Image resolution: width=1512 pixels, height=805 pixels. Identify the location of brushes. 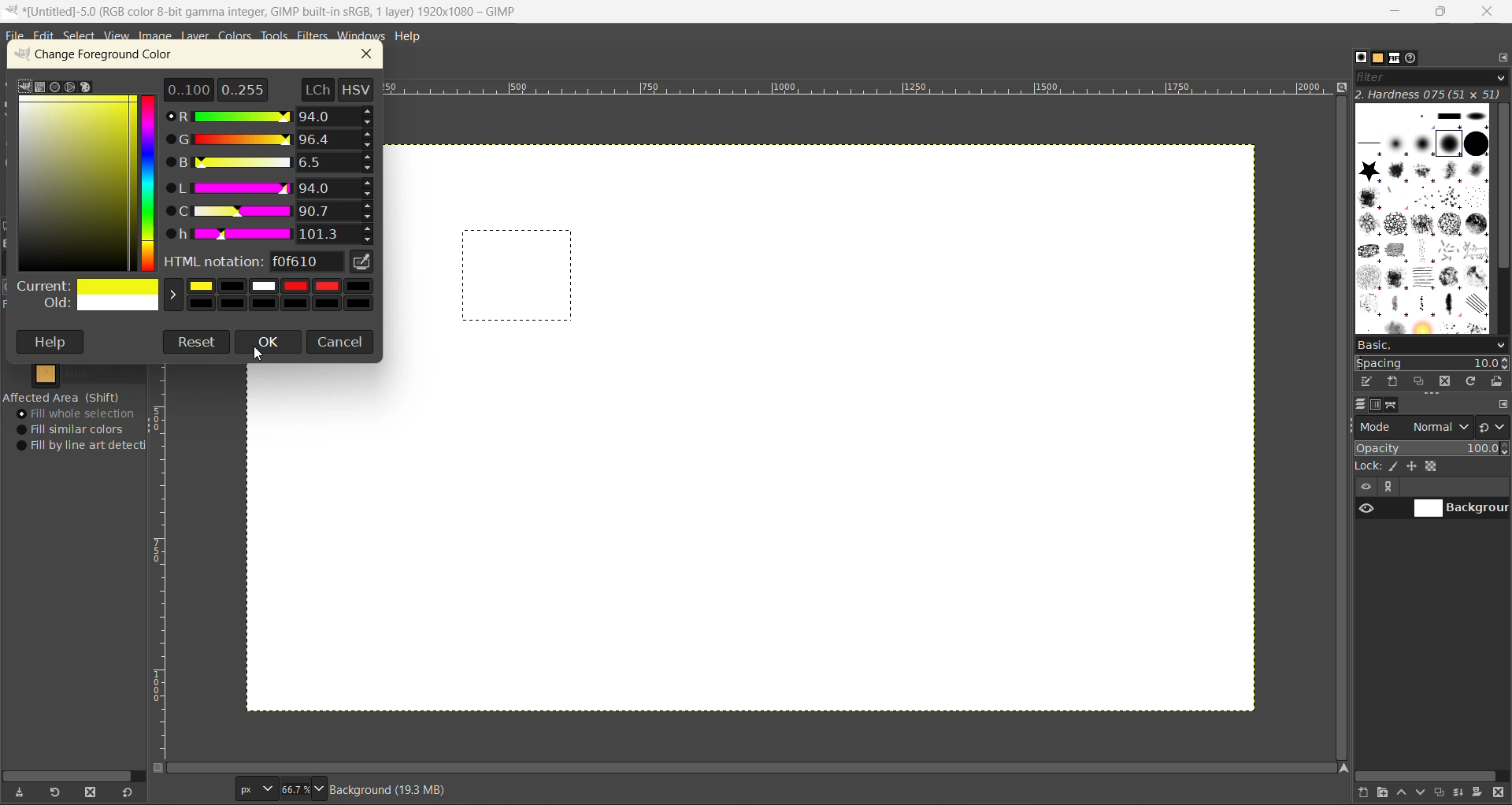
(1361, 58).